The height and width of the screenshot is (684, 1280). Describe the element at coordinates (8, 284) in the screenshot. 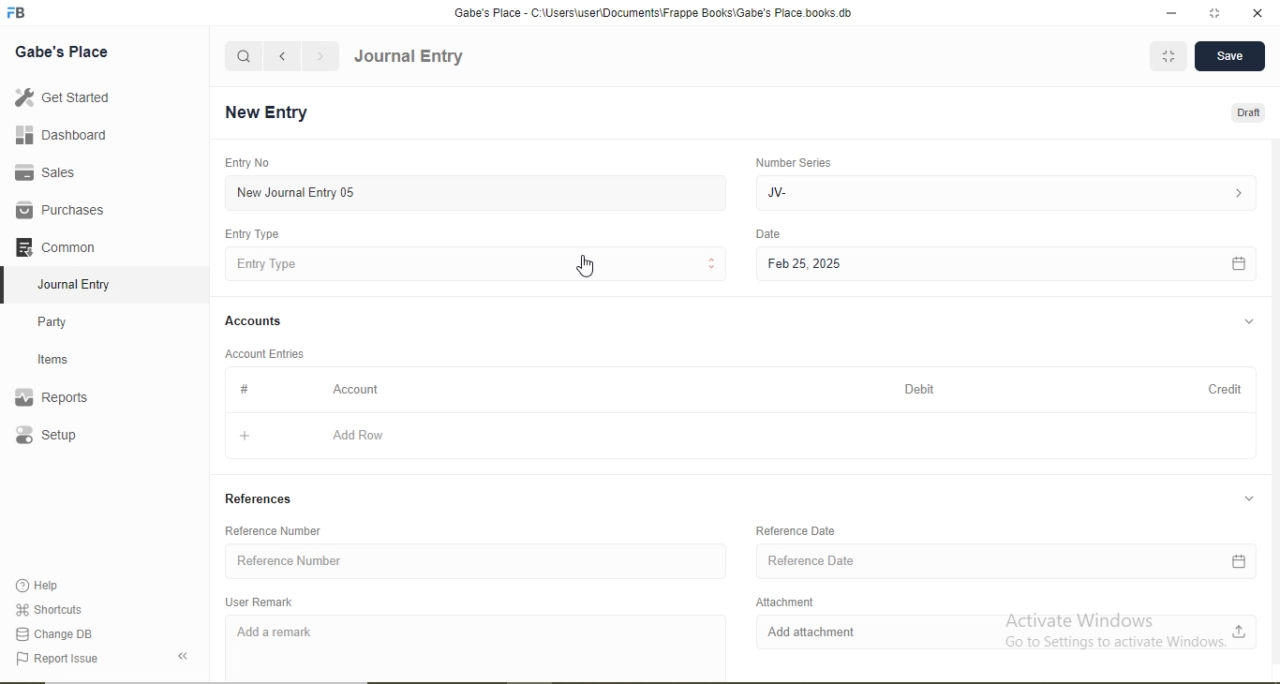

I see `selected` at that location.